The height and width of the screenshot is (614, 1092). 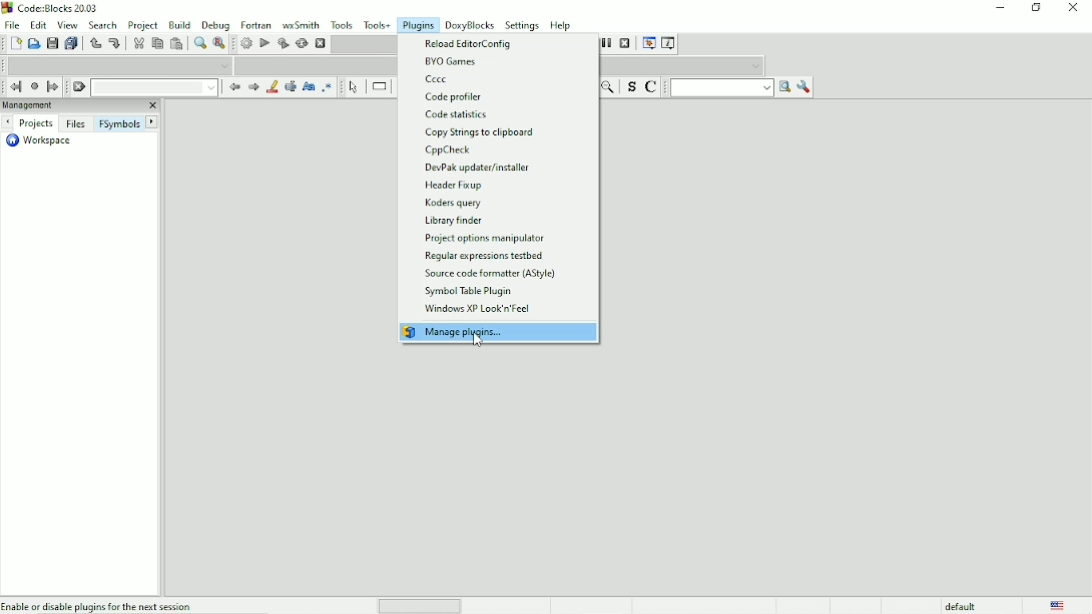 What do you see at coordinates (51, 44) in the screenshot?
I see `Save` at bounding box center [51, 44].